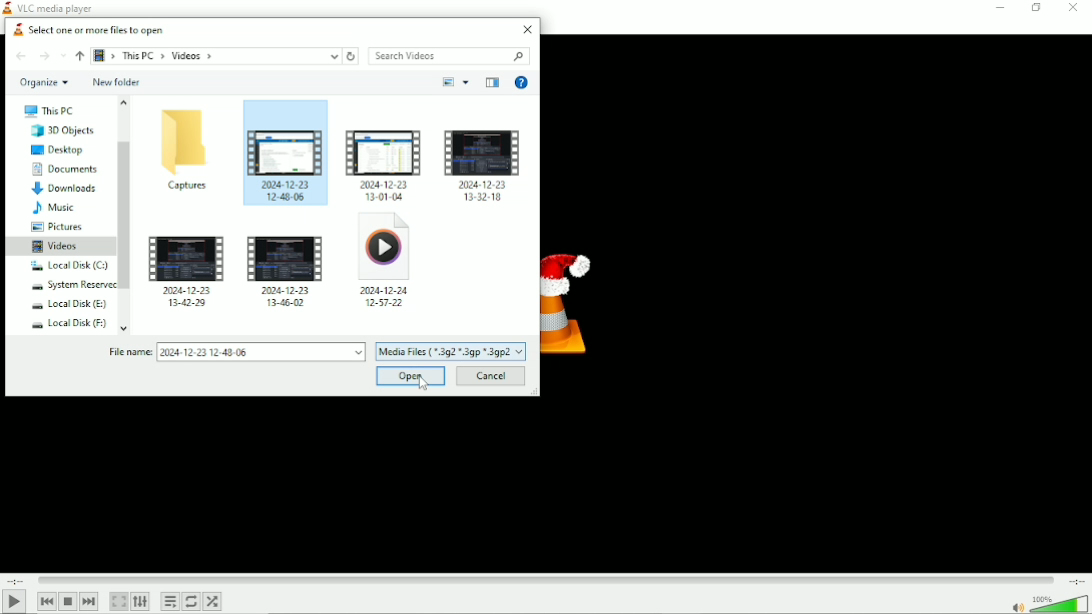 This screenshot has width=1092, height=614. Describe the element at coordinates (67, 323) in the screenshot. I see `Local Disk(F:)` at that location.